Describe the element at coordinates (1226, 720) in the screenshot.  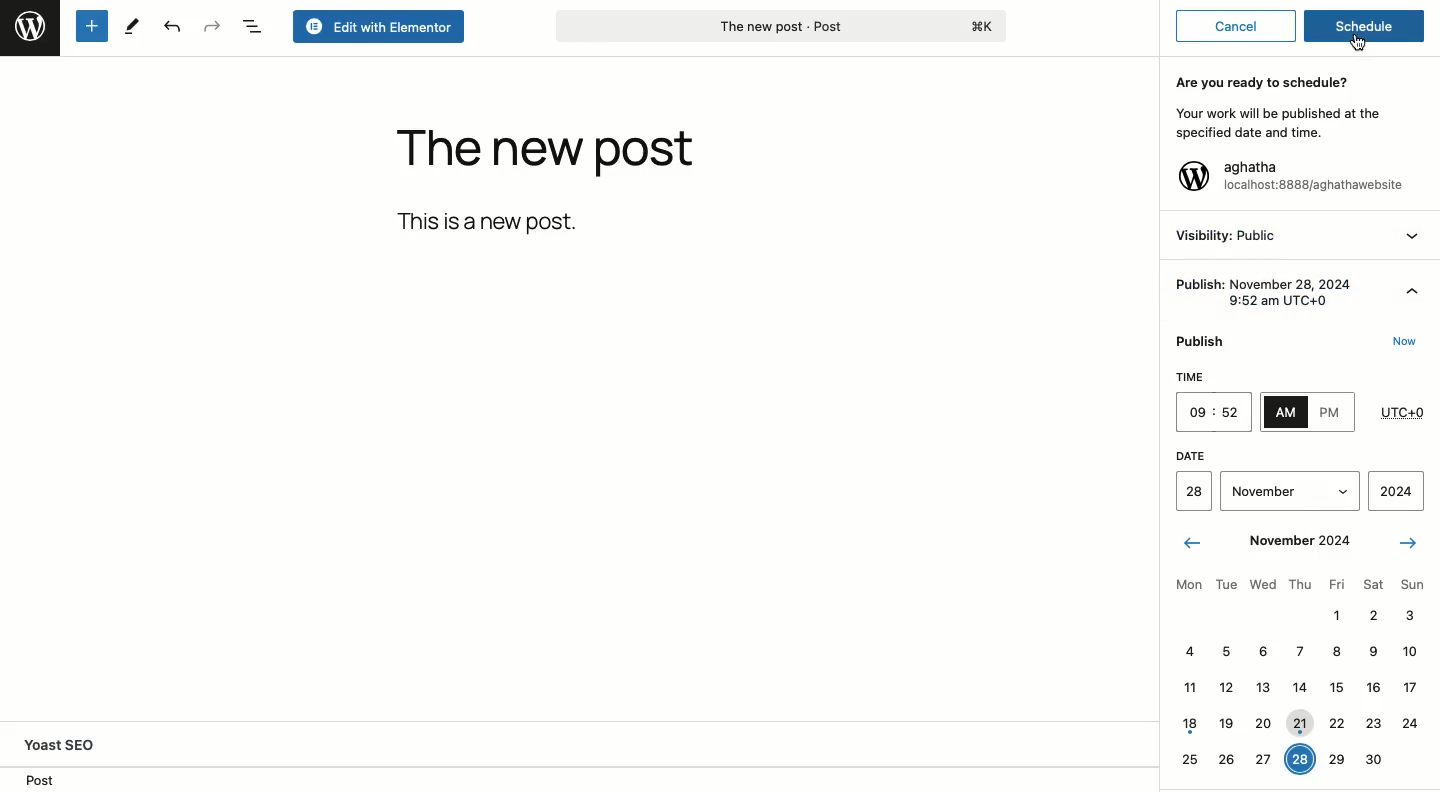
I see `19` at that location.